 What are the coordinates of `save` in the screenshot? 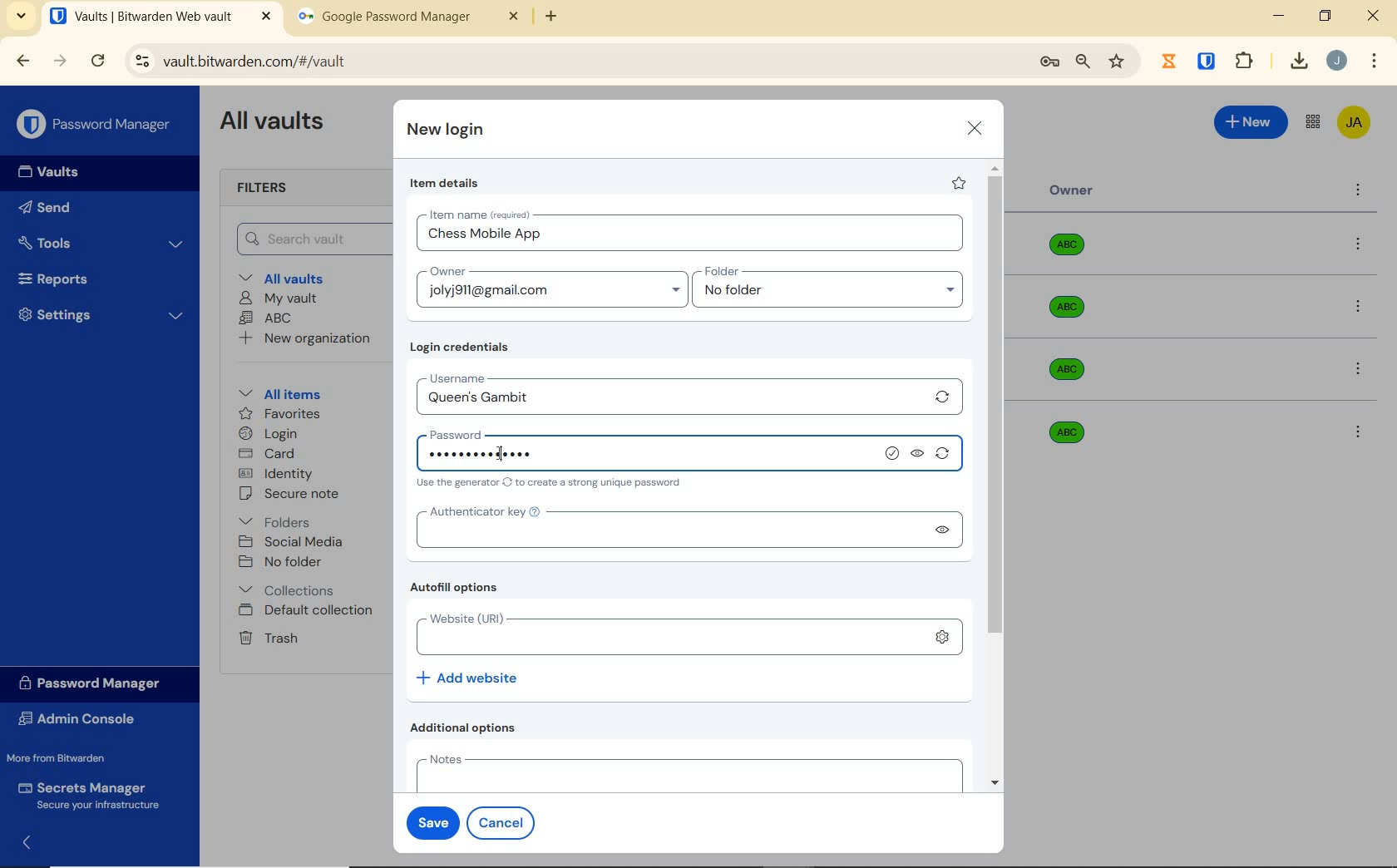 It's located at (429, 821).